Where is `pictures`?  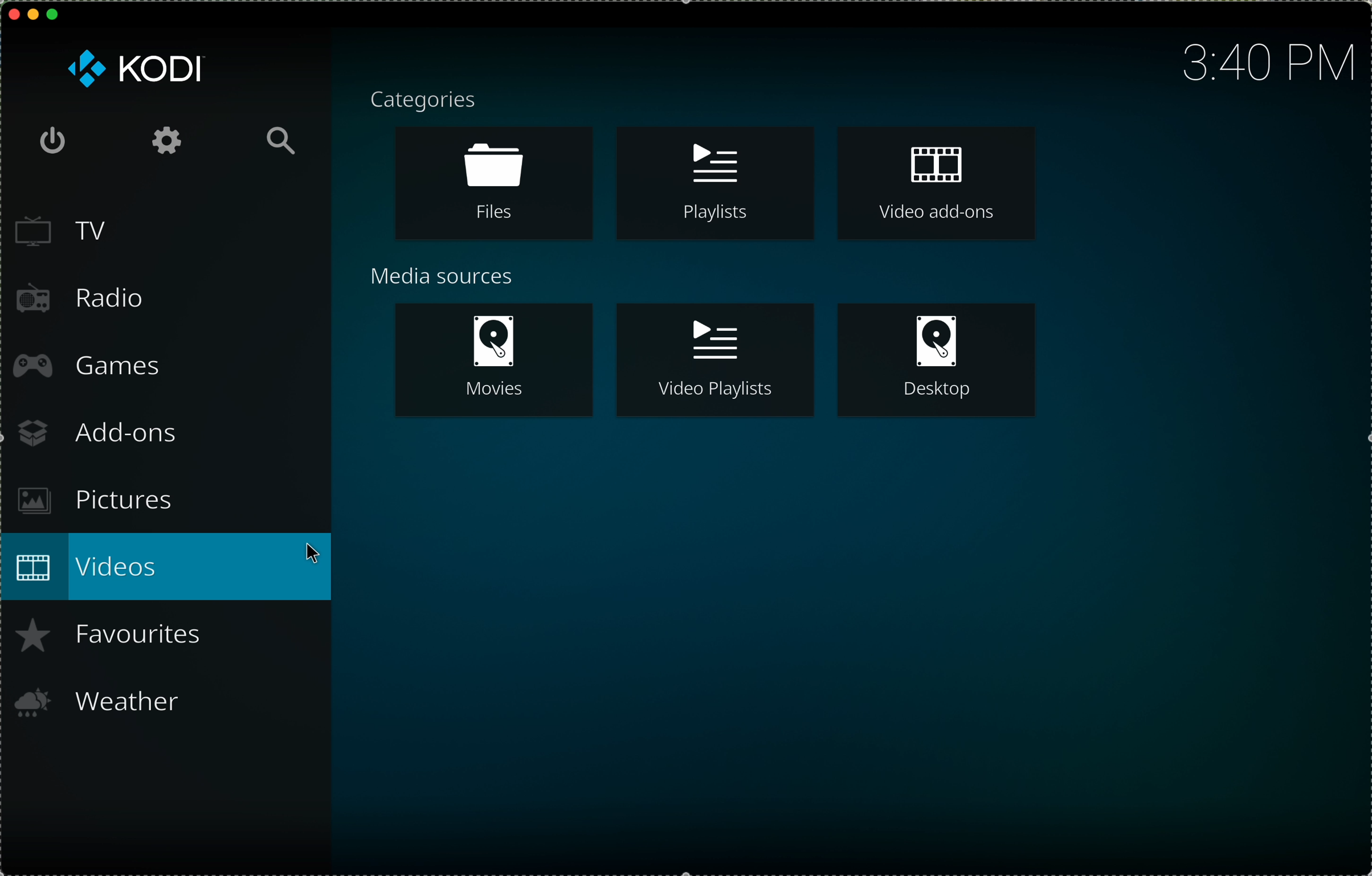
pictures is located at coordinates (90, 502).